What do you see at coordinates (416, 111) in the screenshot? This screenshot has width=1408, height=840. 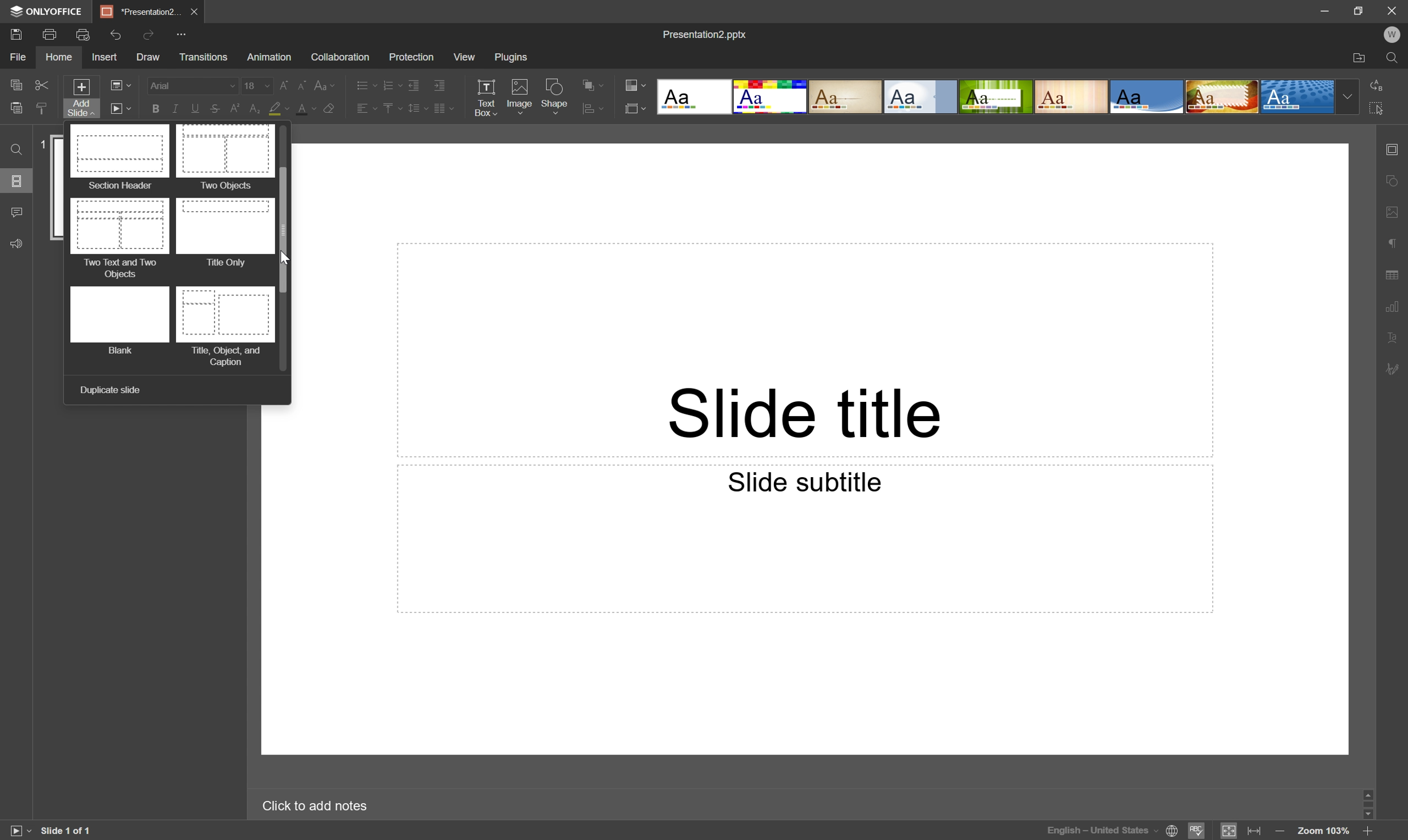 I see `Line spacing` at bounding box center [416, 111].